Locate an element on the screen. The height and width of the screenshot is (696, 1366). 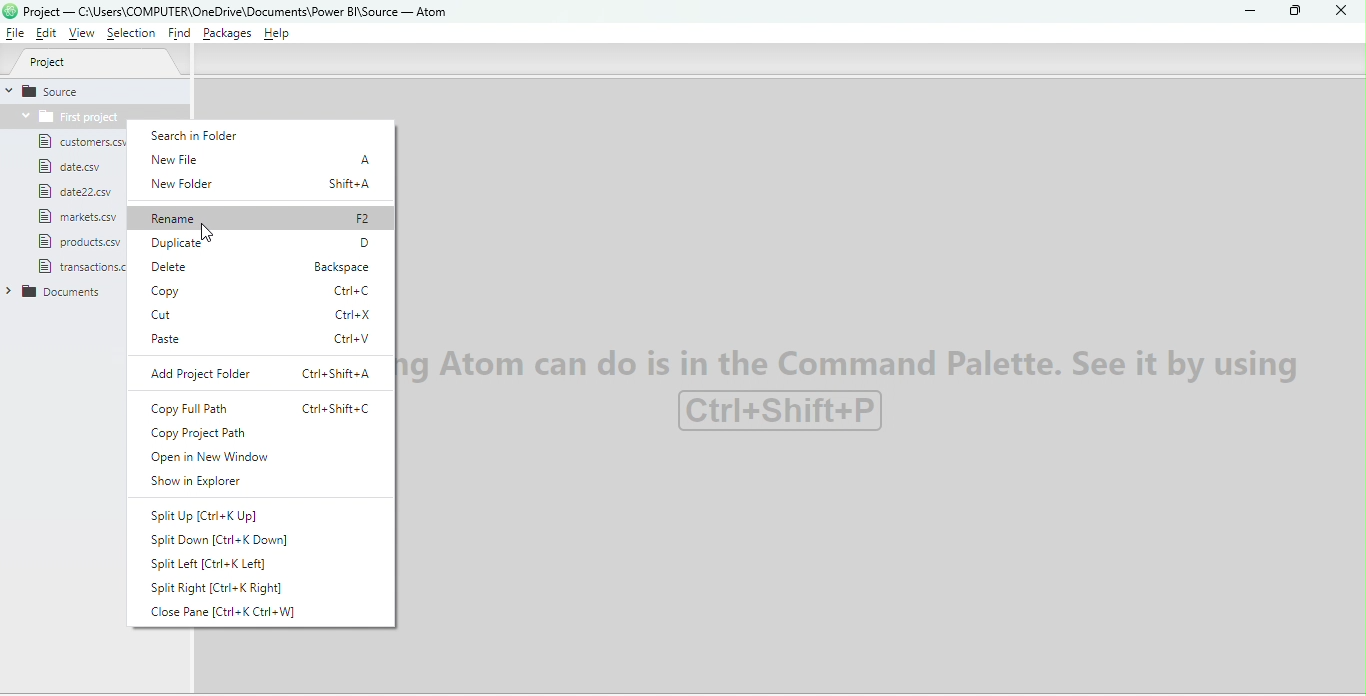
logo  is located at coordinates (10, 11).